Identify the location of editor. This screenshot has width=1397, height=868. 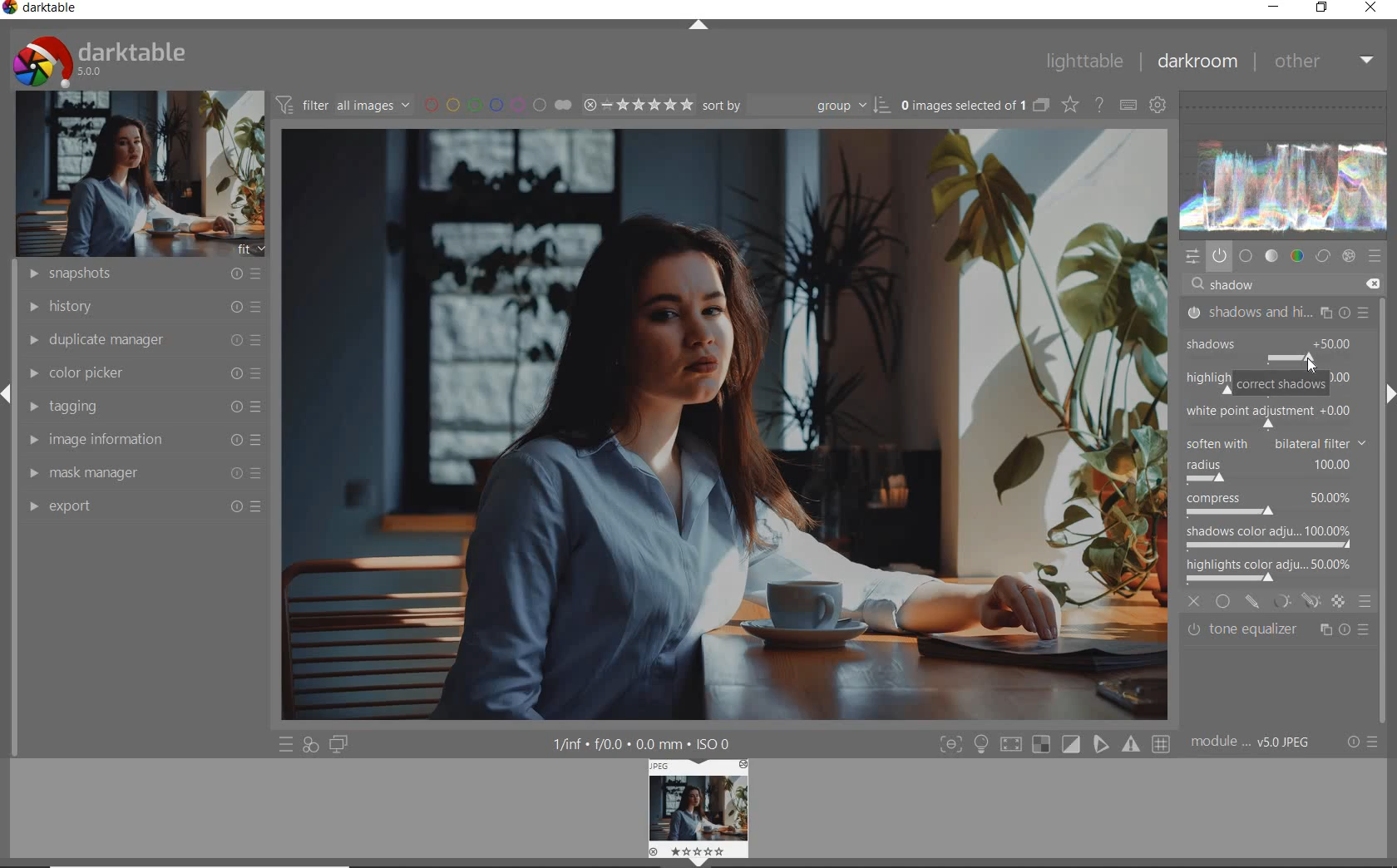
(1211, 284).